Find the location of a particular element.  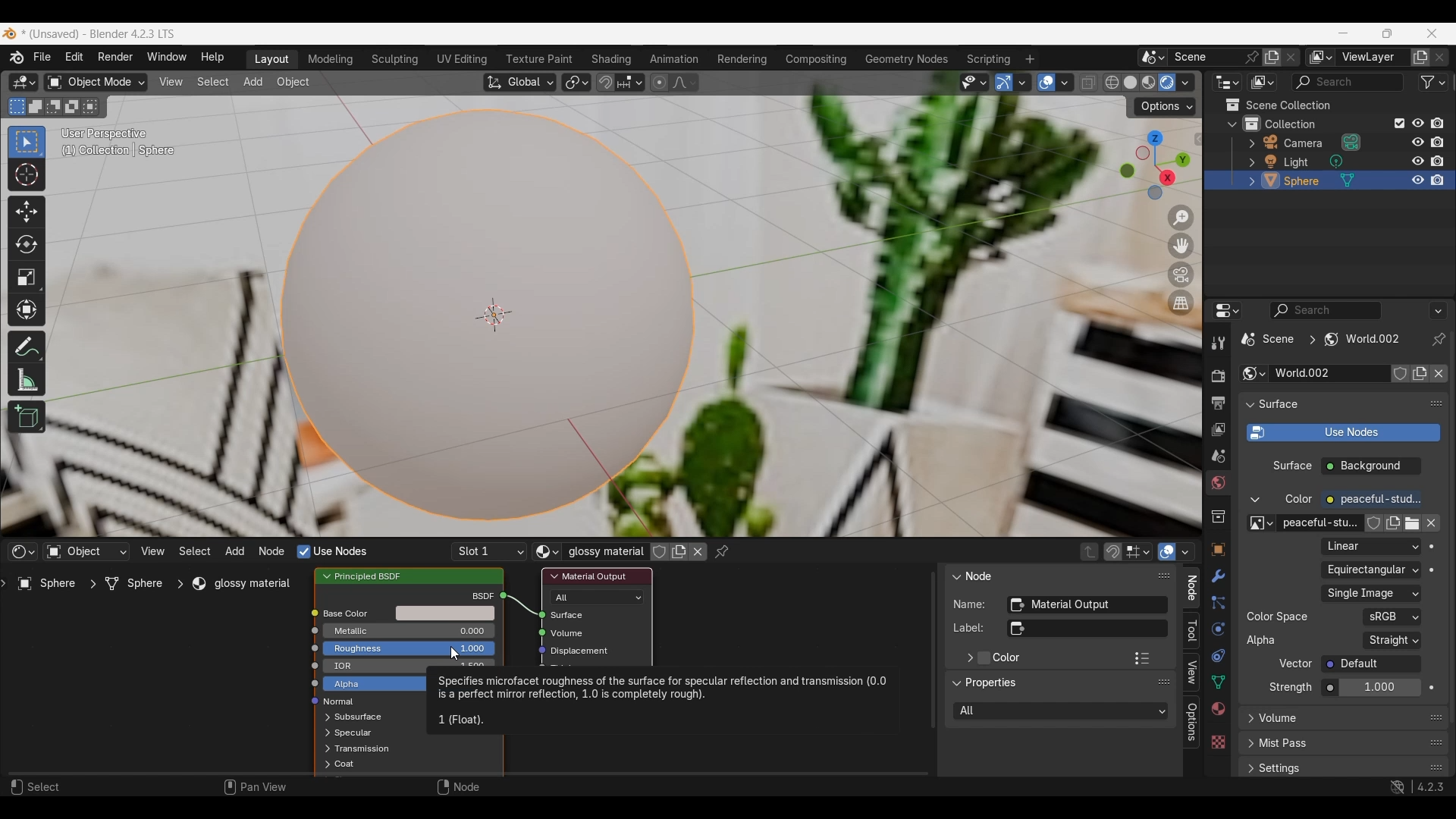

(1) Collection | Sphere is located at coordinates (122, 149).